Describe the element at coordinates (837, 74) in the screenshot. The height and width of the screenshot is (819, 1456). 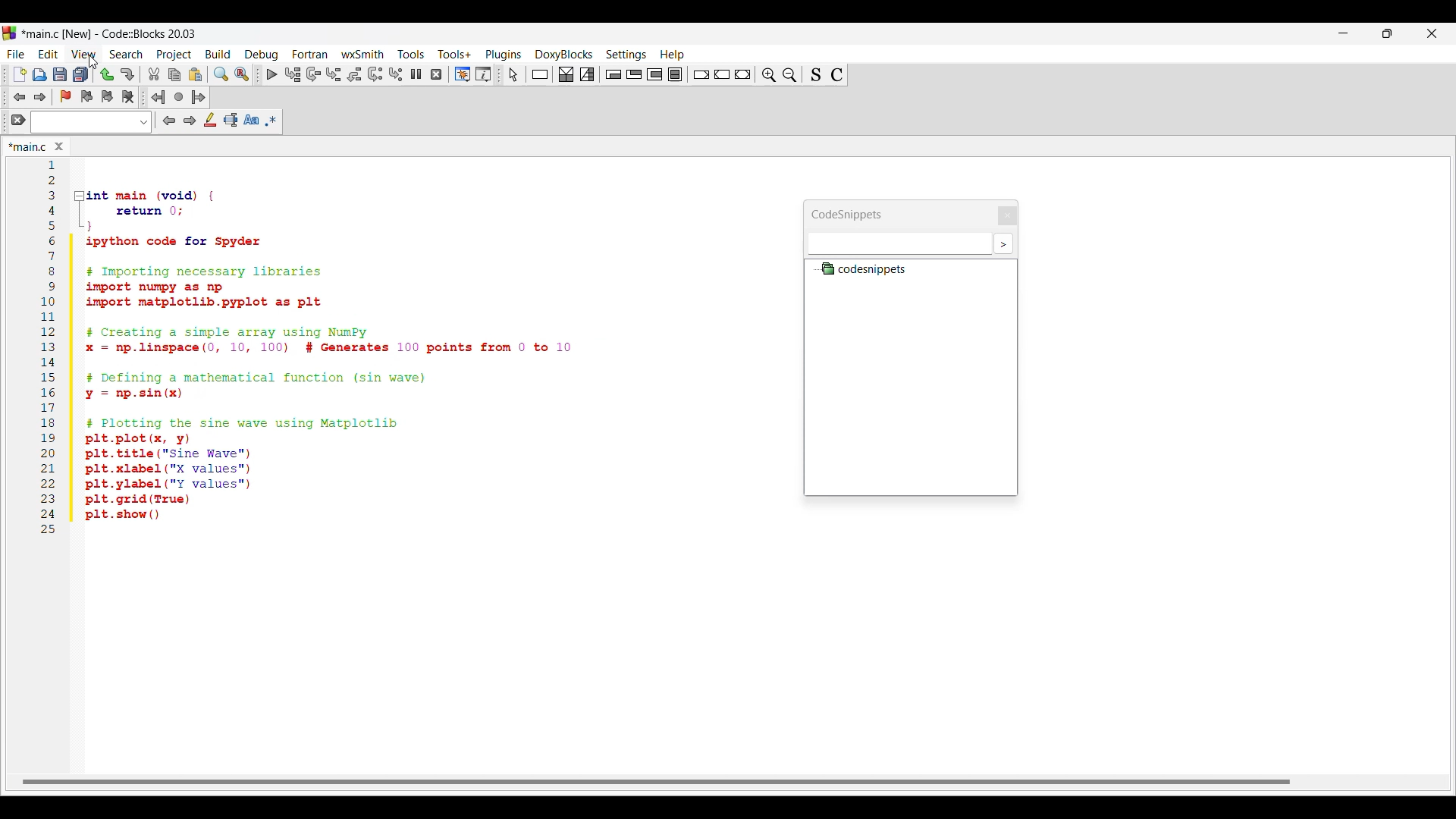
I see `Toggle comments` at that location.